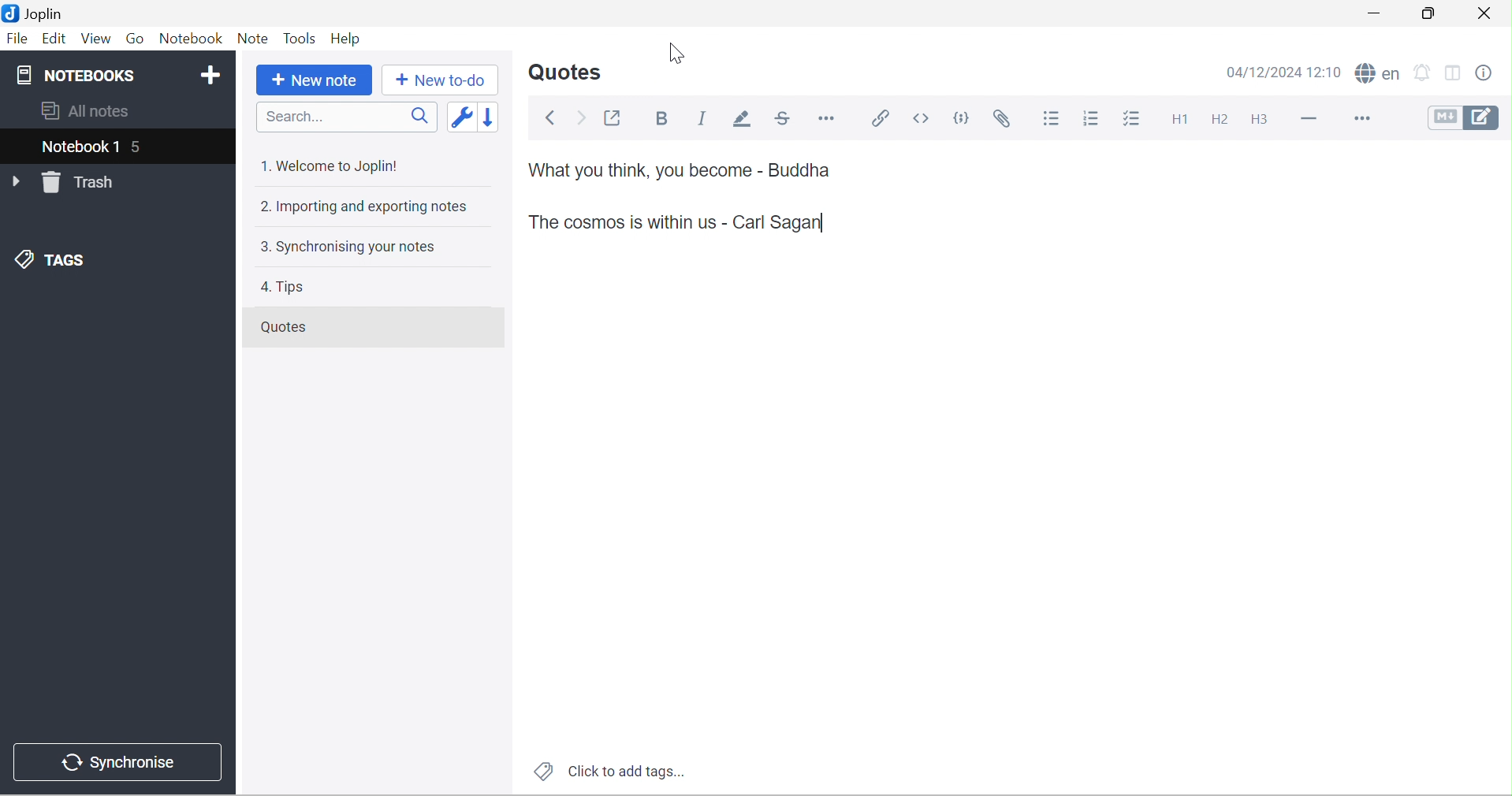 This screenshot has height=796, width=1512. What do you see at coordinates (1432, 13) in the screenshot?
I see `Restore Down` at bounding box center [1432, 13].